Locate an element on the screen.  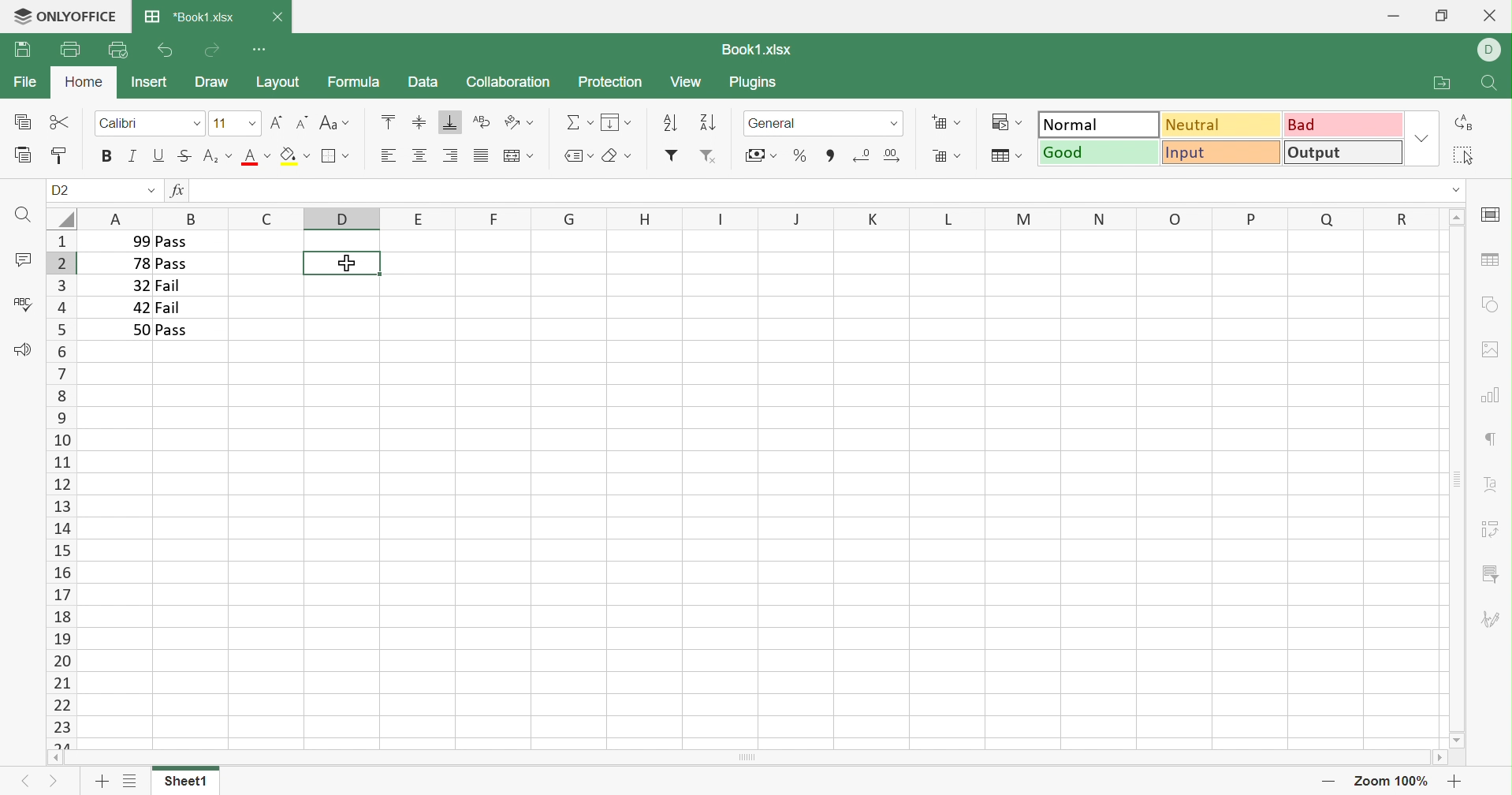
Pass is located at coordinates (172, 265).